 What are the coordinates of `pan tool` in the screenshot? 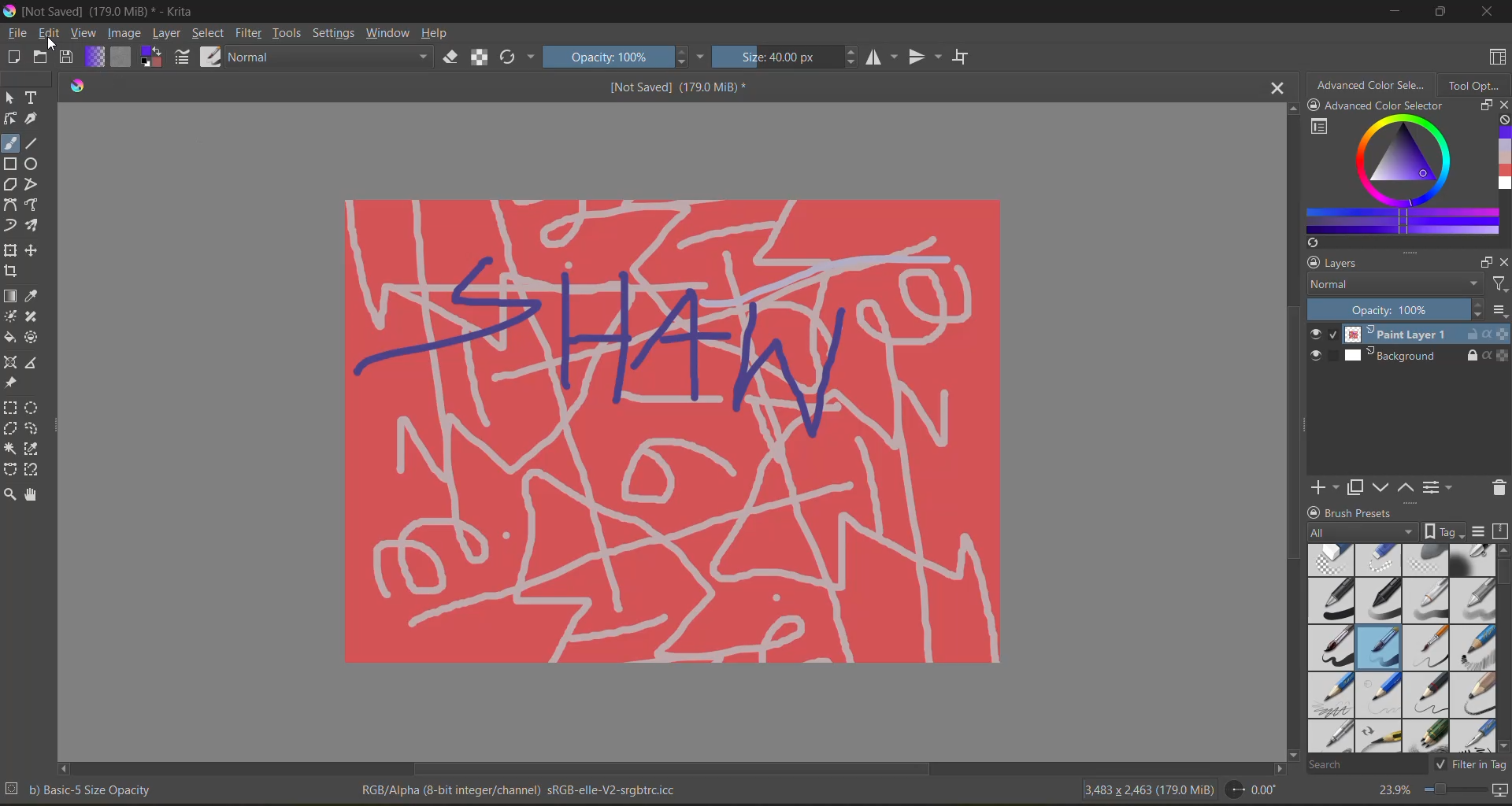 It's located at (33, 494).